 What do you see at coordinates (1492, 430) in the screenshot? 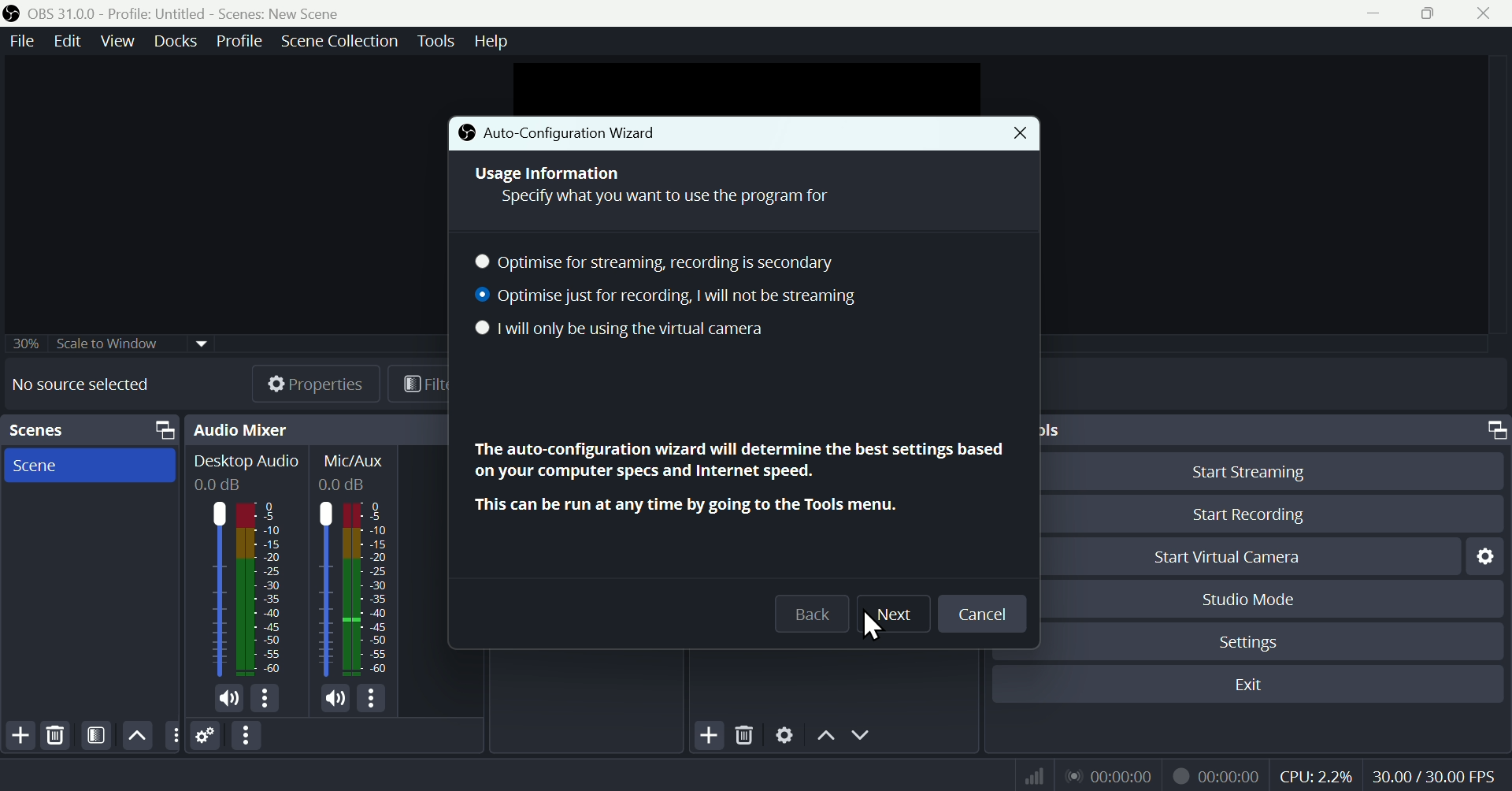
I see `screen resize` at bounding box center [1492, 430].